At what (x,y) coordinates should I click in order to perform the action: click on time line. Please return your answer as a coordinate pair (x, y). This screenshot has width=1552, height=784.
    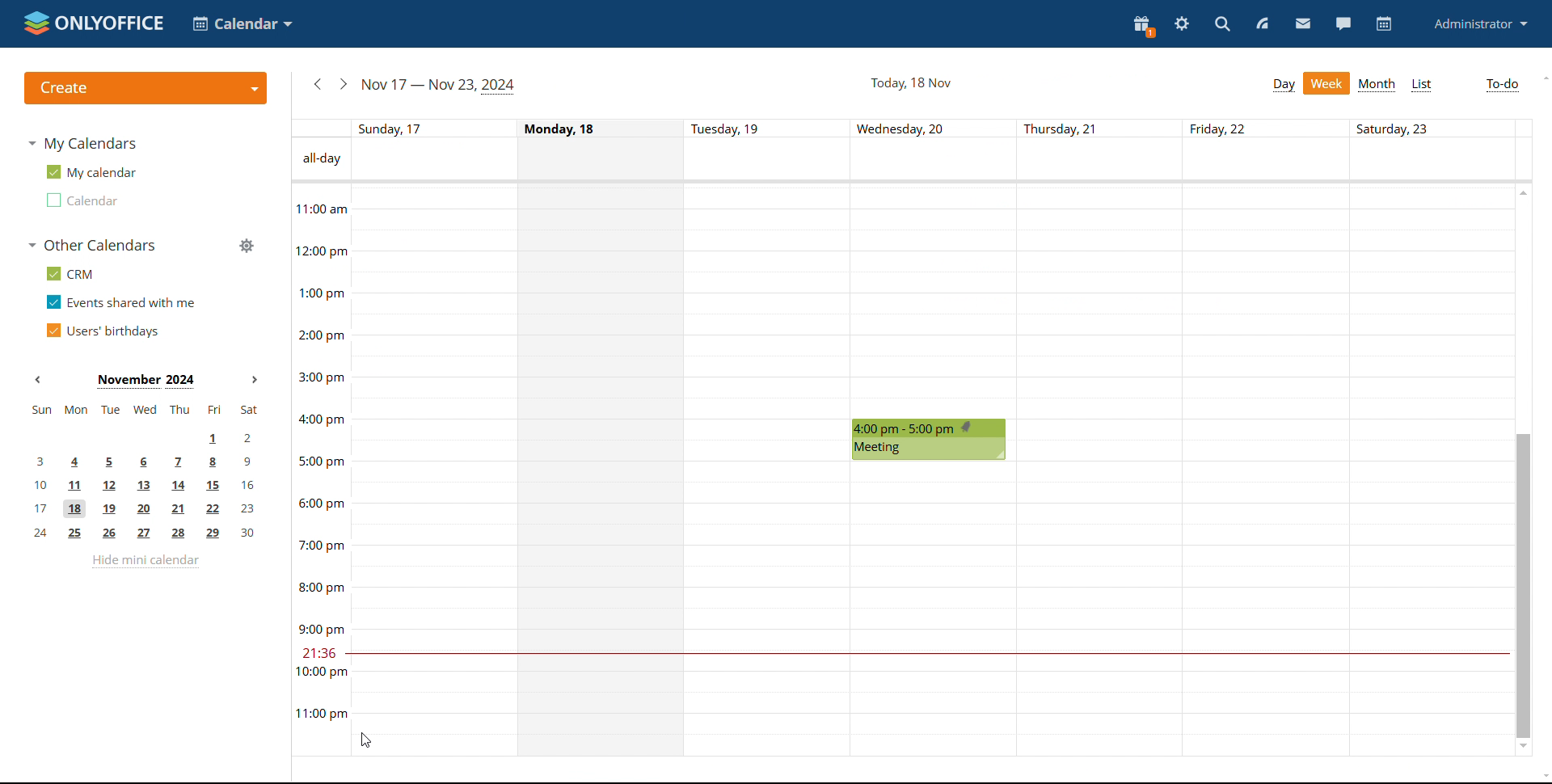
    Looking at the image, I should click on (319, 470).